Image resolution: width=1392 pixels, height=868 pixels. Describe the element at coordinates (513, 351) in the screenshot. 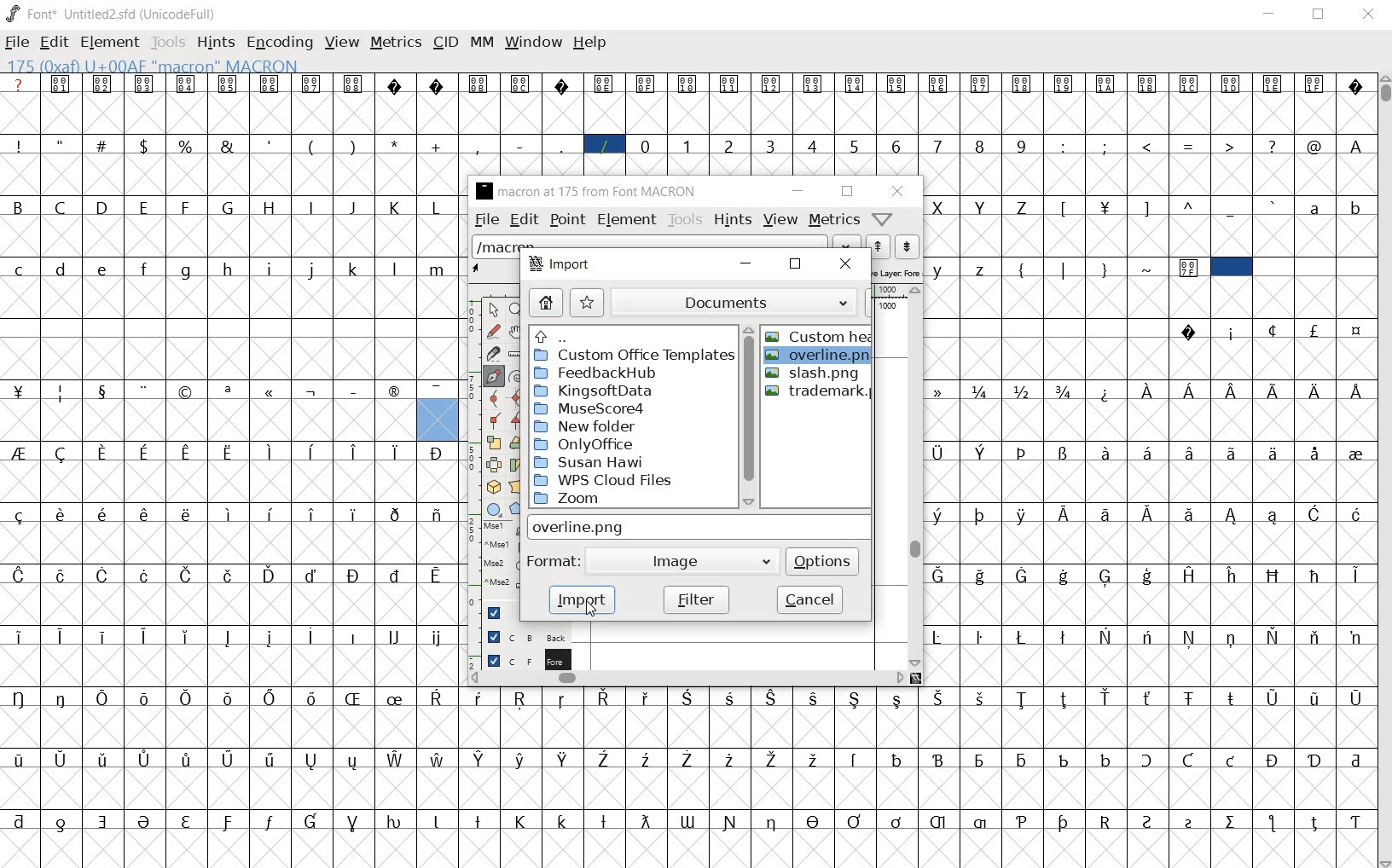

I see `ruler` at that location.